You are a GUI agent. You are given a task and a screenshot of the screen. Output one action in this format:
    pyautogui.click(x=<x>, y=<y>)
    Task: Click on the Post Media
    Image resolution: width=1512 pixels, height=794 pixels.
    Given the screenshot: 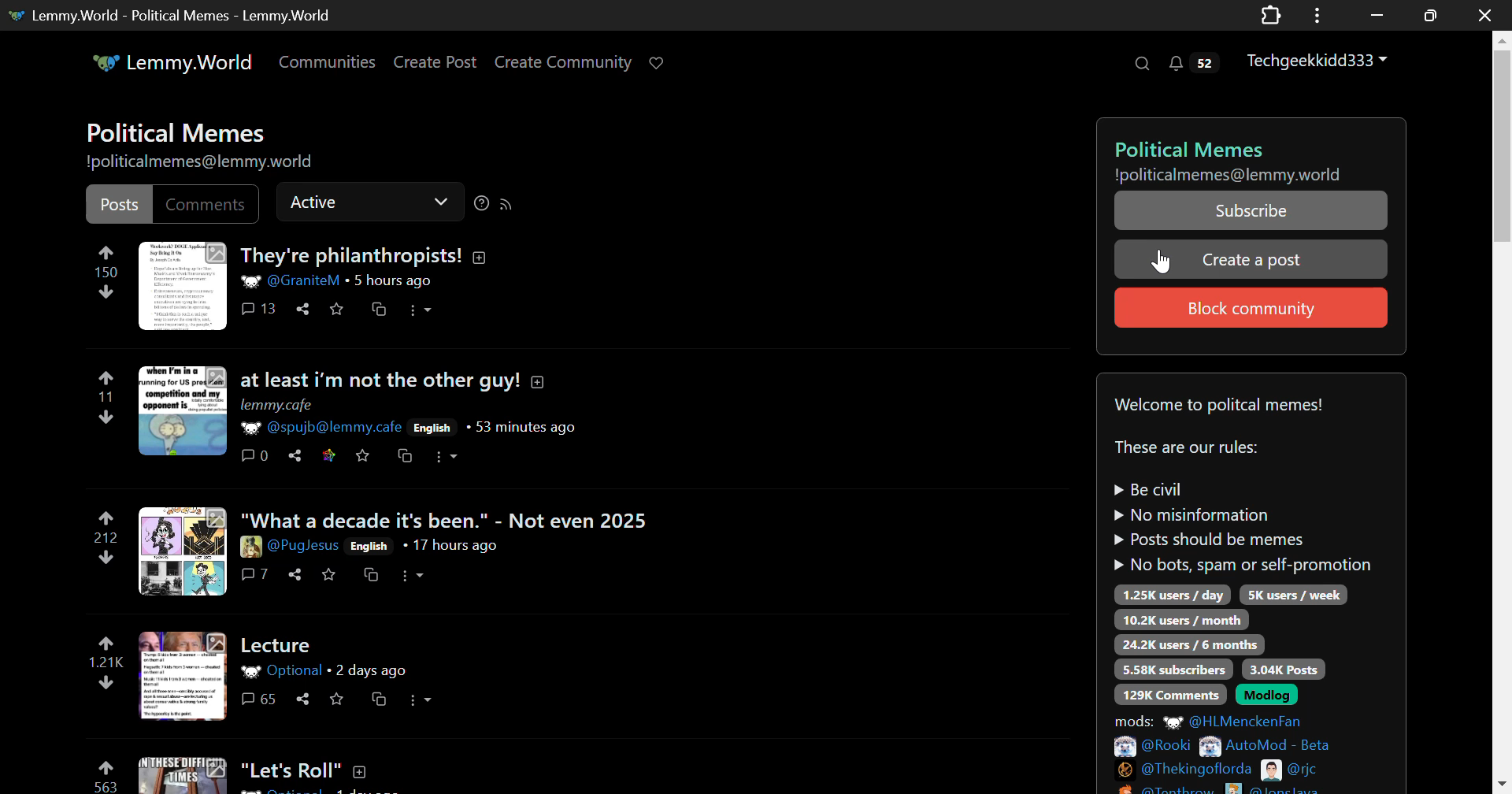 What is the action you would take?
    pyautogui.click(x=183, y=675)
    